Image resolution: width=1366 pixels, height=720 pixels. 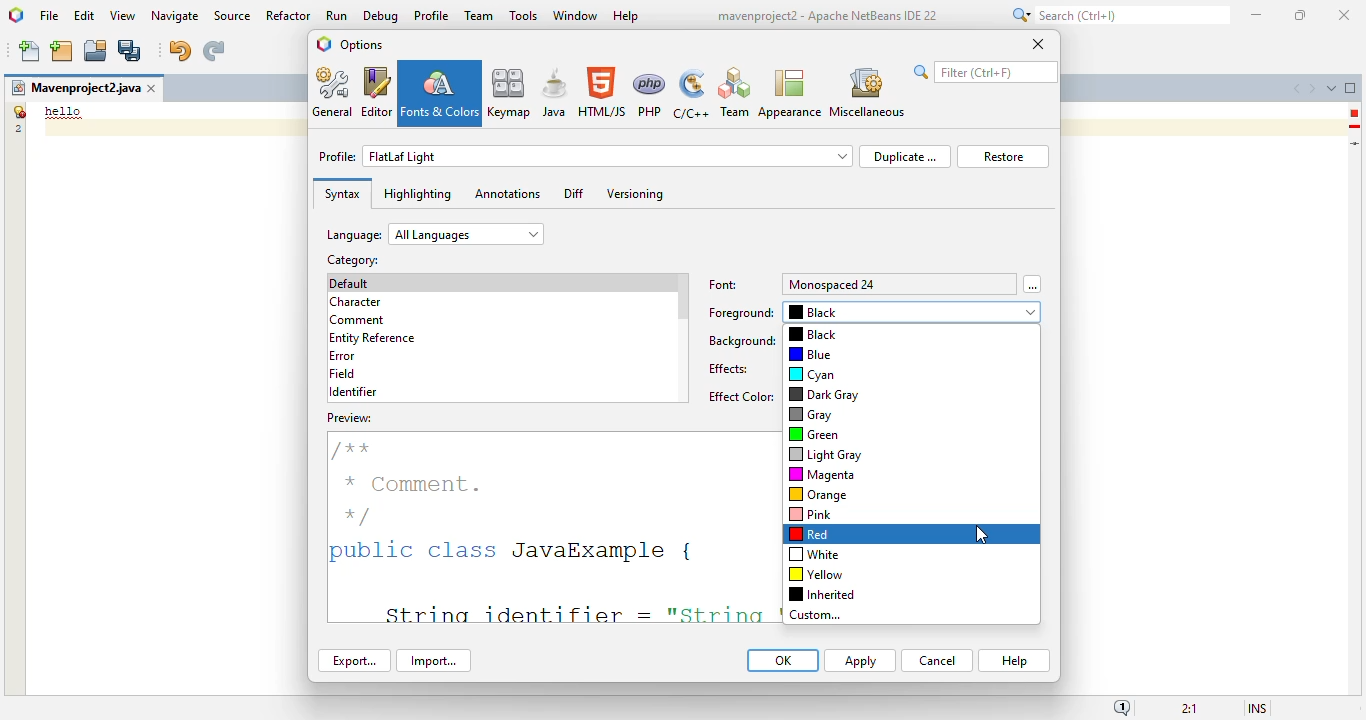 I want to click on highlighting, so click(x=417, y=194).